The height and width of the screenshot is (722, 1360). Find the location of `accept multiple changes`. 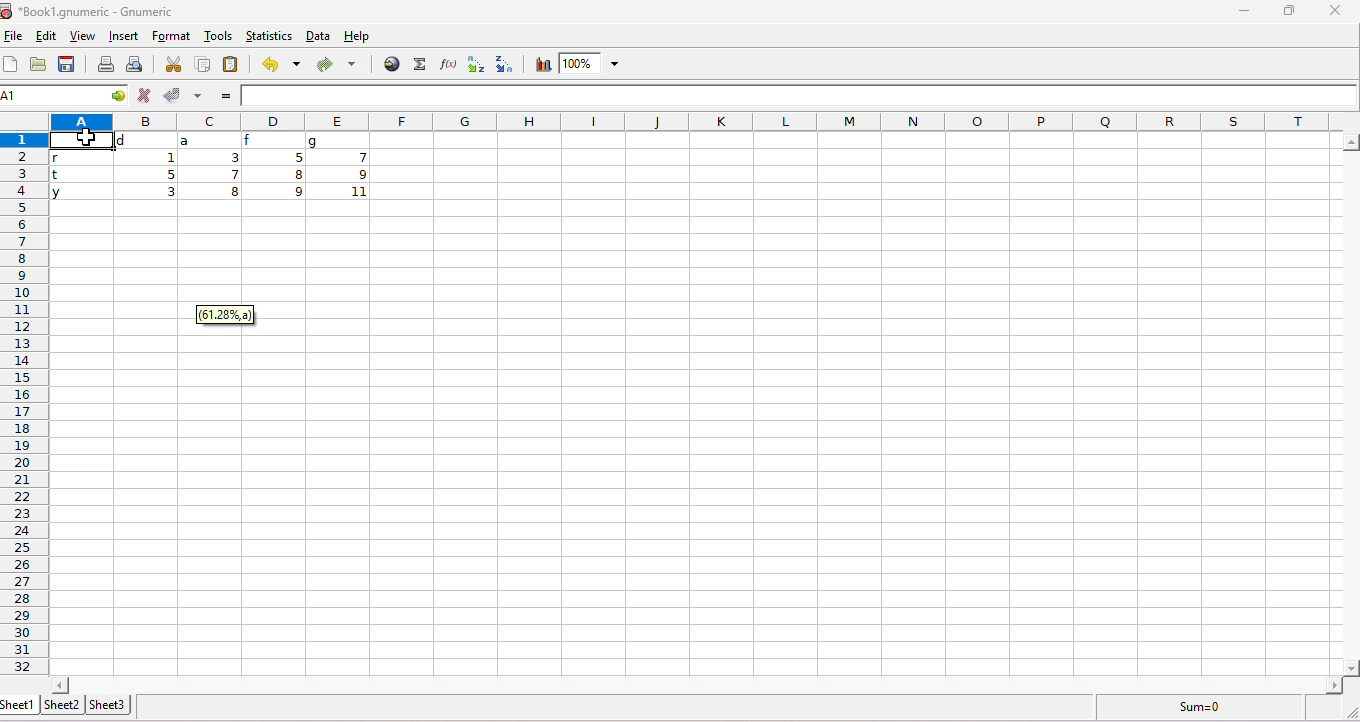

accept multiple changes is located at coordinates (196, 96).